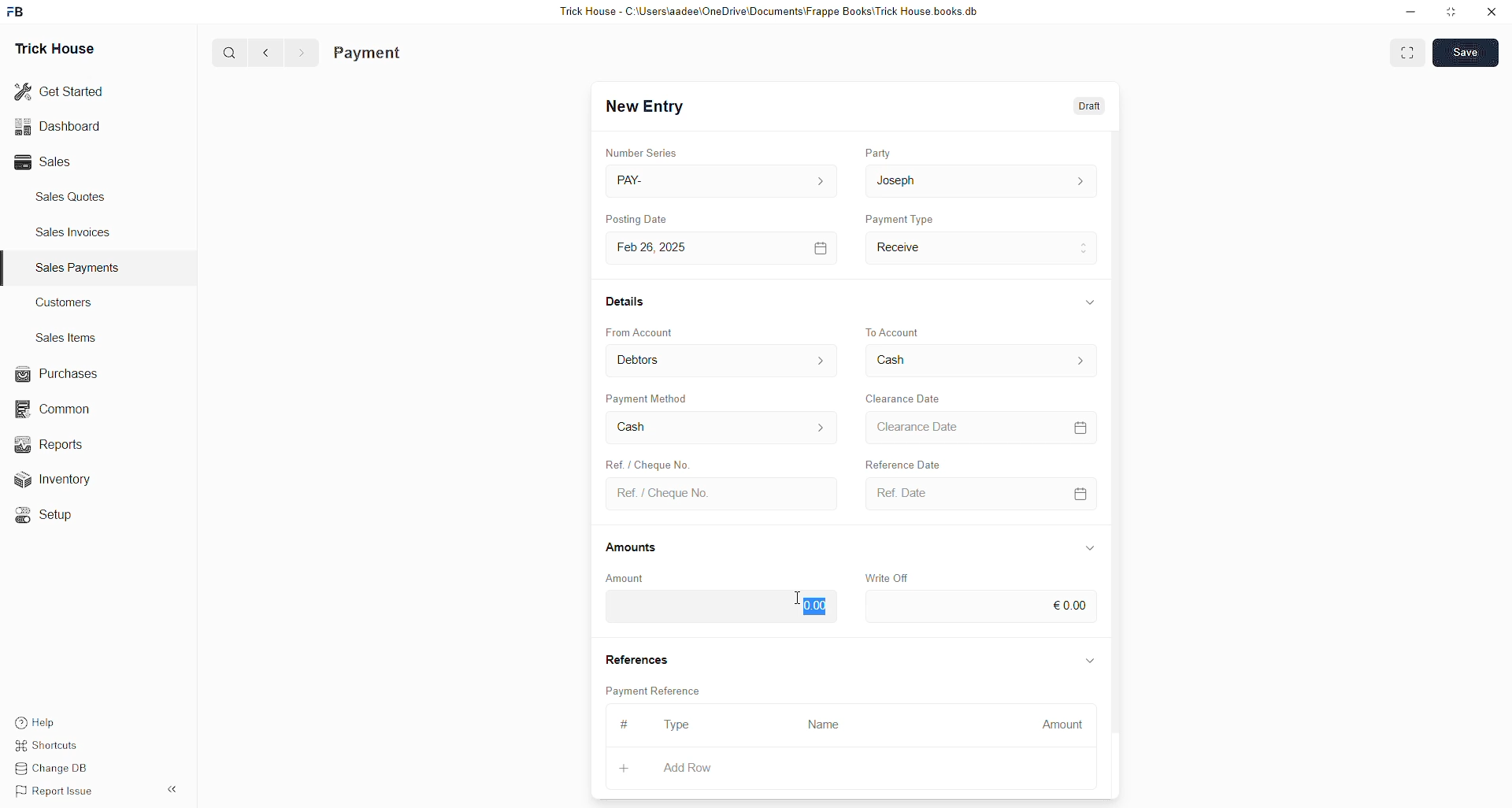  Describe the element at coordinates (72, 196) in the screenshot. I see `Sales Quotes.` at that location.